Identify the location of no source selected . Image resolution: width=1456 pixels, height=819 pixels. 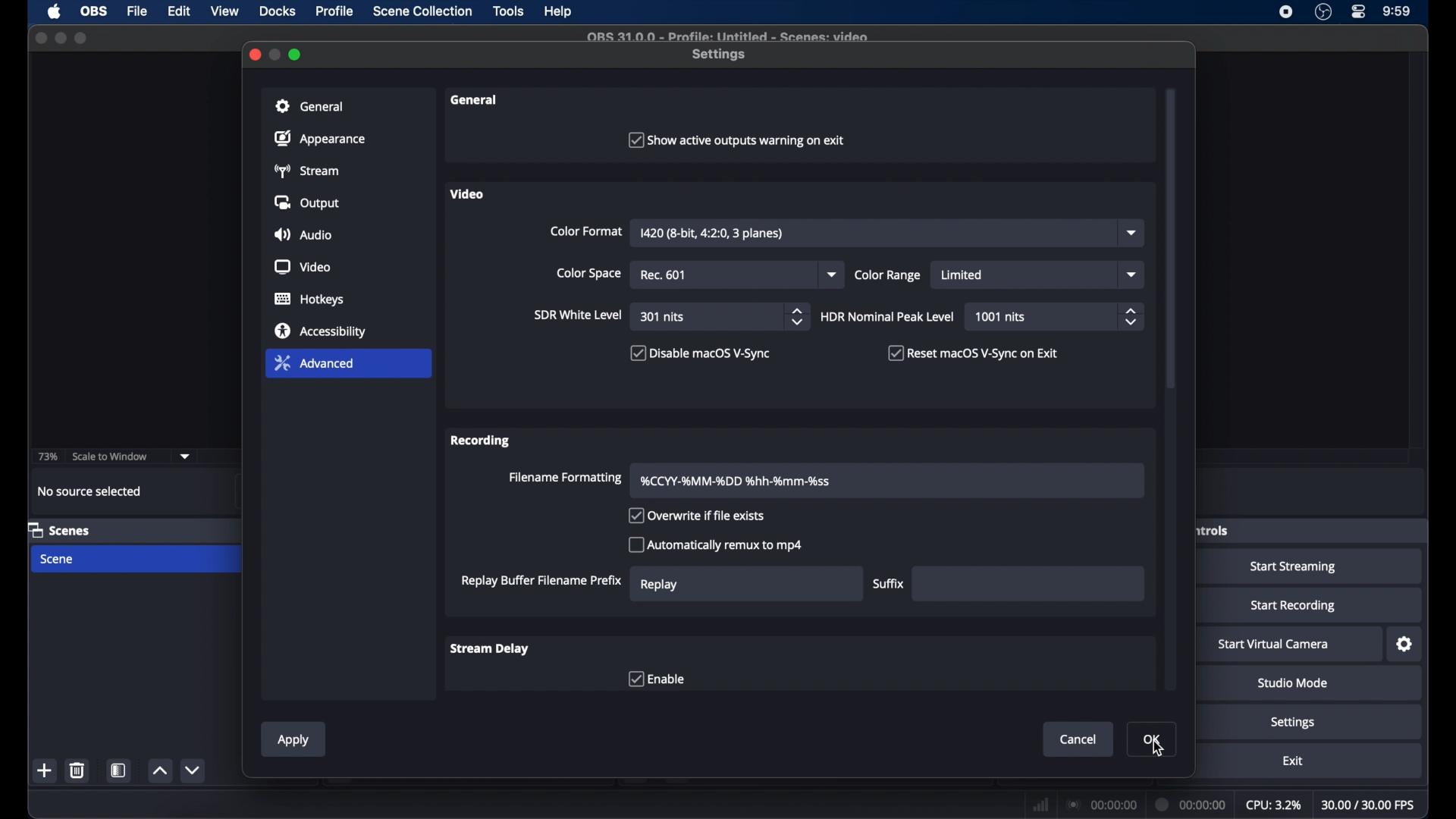
(89, 491).